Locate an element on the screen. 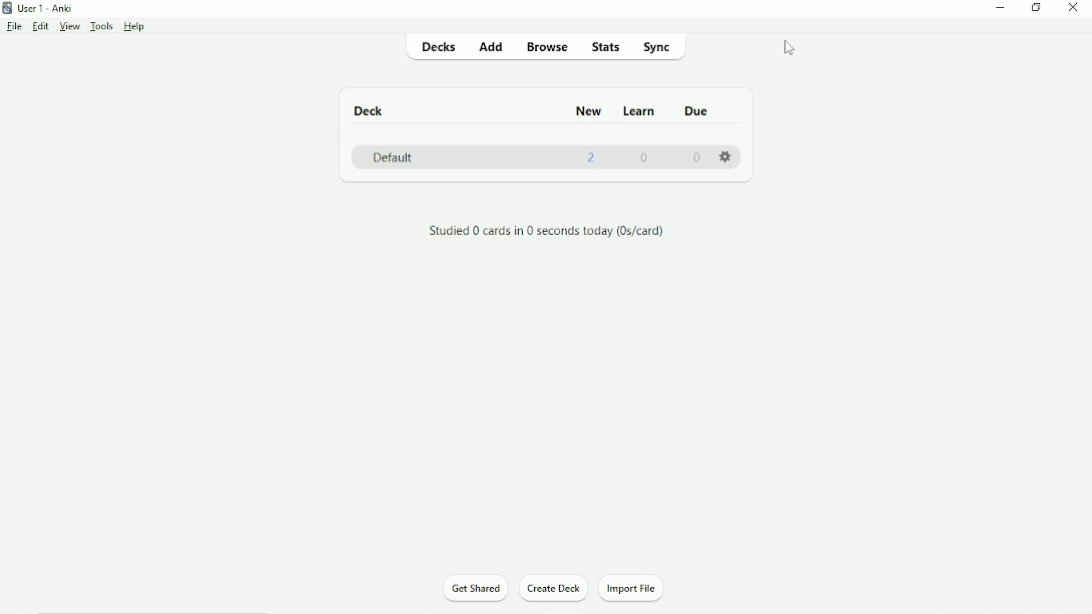  User 1 - Anki is located at coordinates (45, 8).